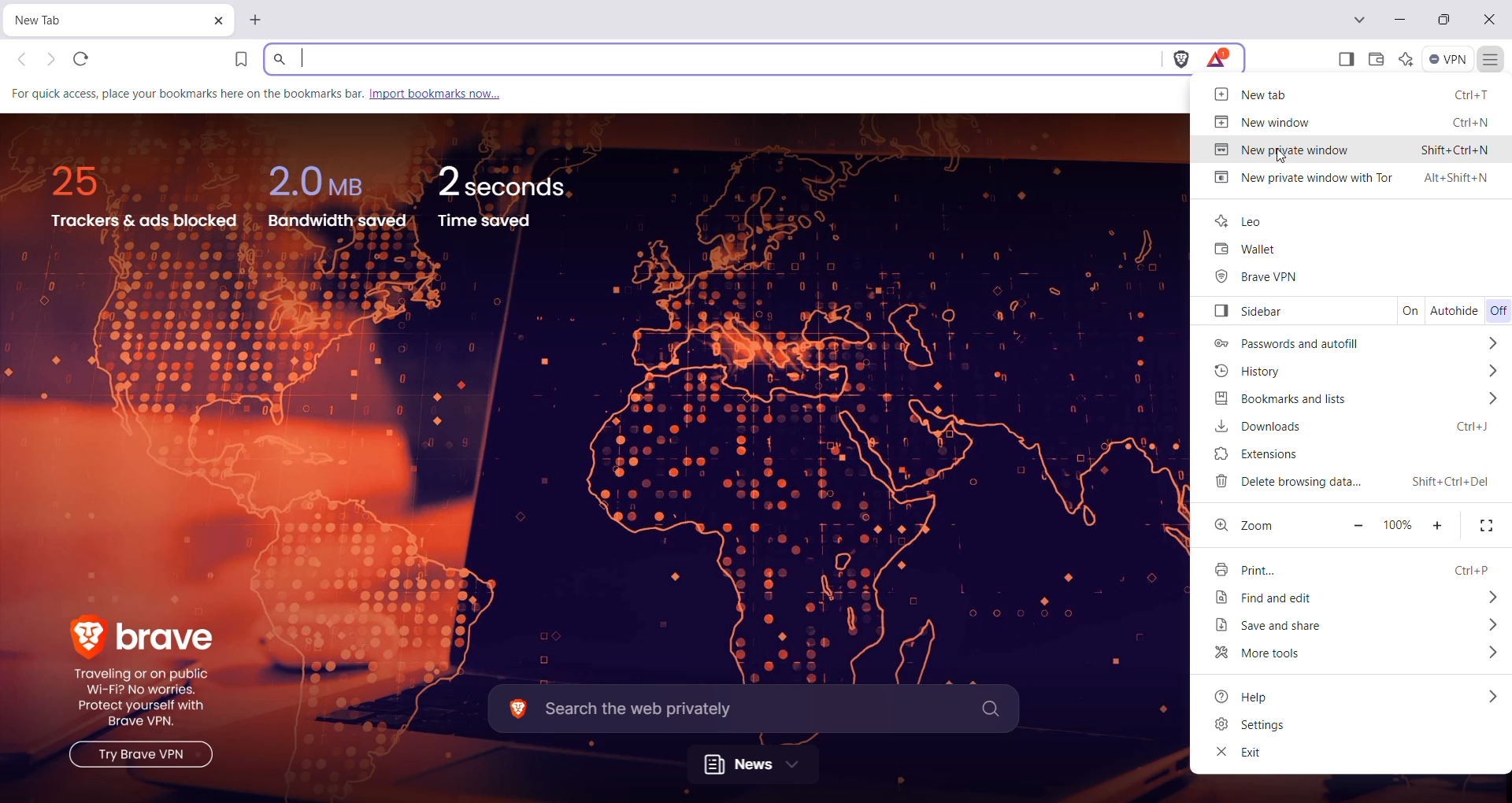  I want to click on Brave Wallet, so click(1376, 58).